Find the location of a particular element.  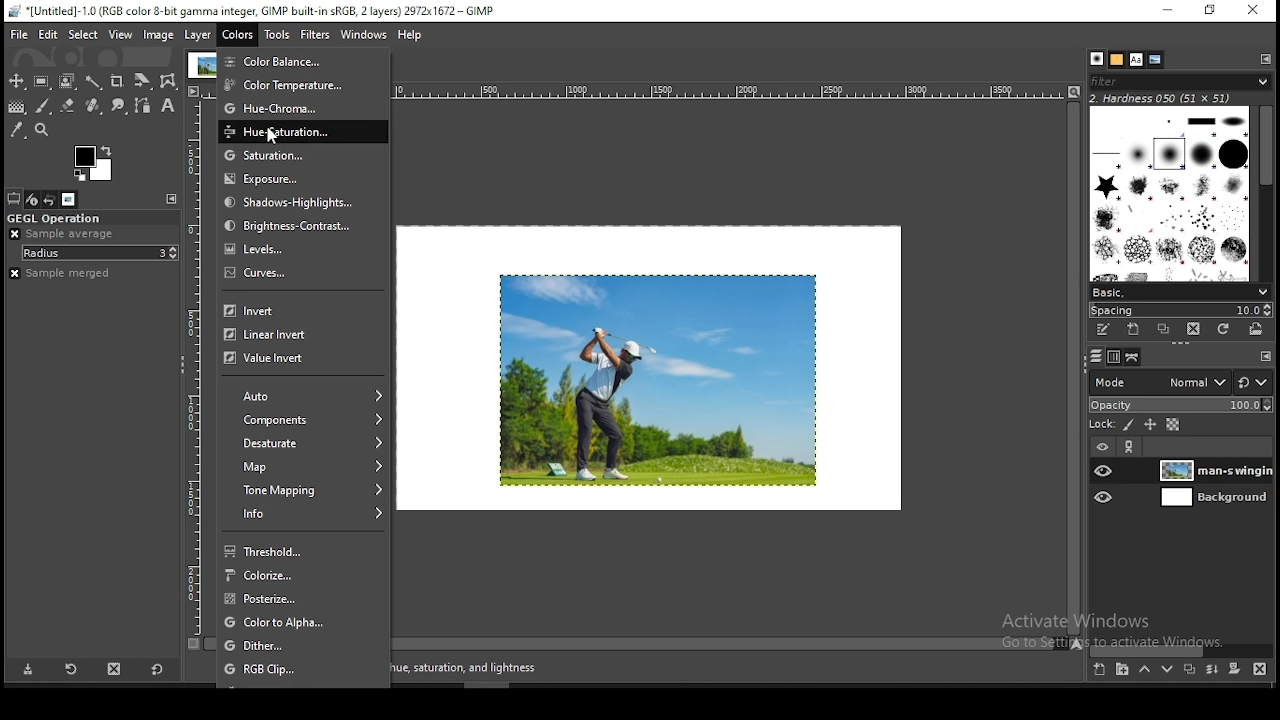

GEGL operation is located at coordinates (82, 216).